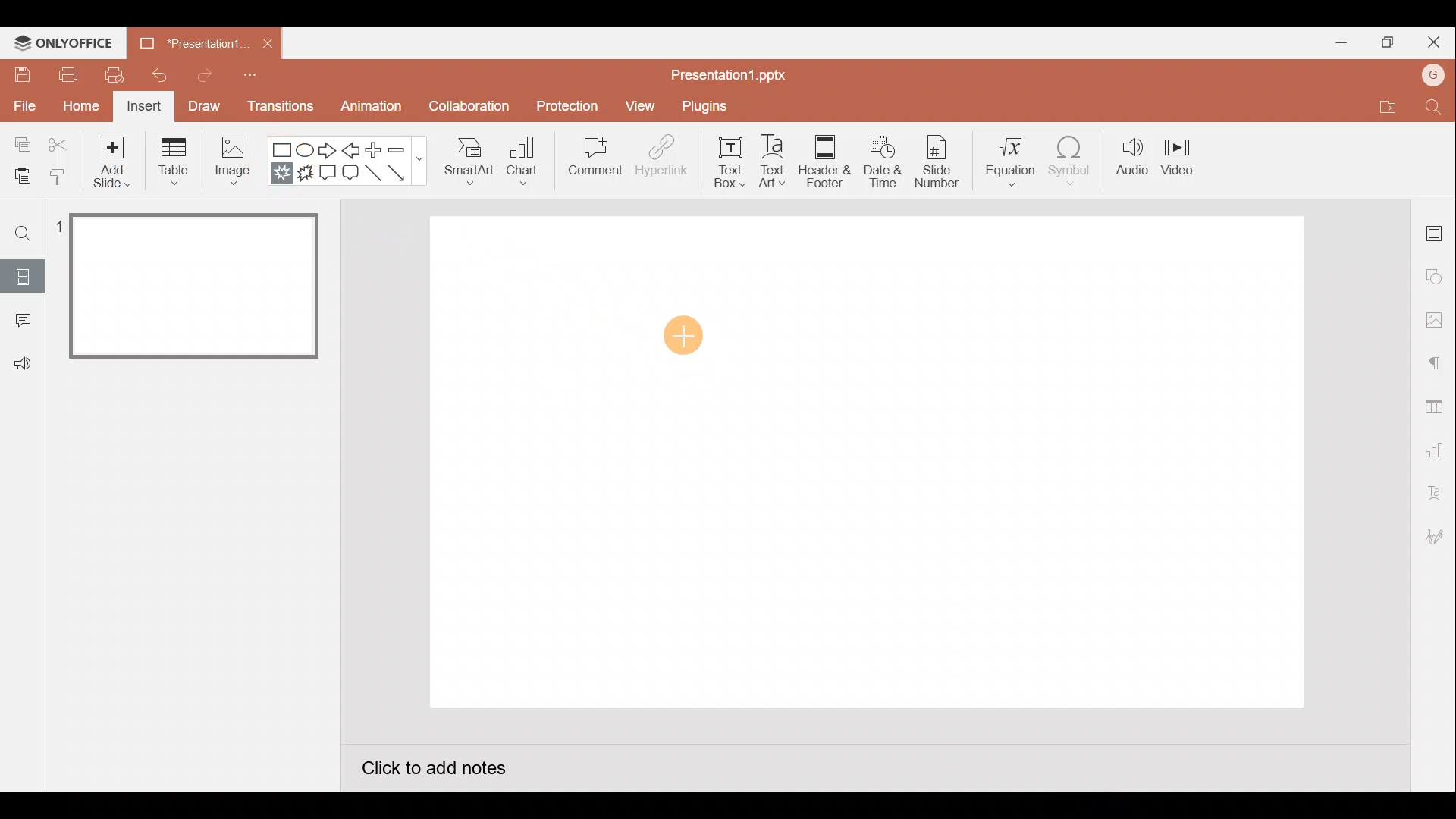 The height and width of the screenshot is (819, 1456). What do you see at coordinates (306, 177) in the screenshot?
I see `Explosion 2` at bounding box center [306, 177].